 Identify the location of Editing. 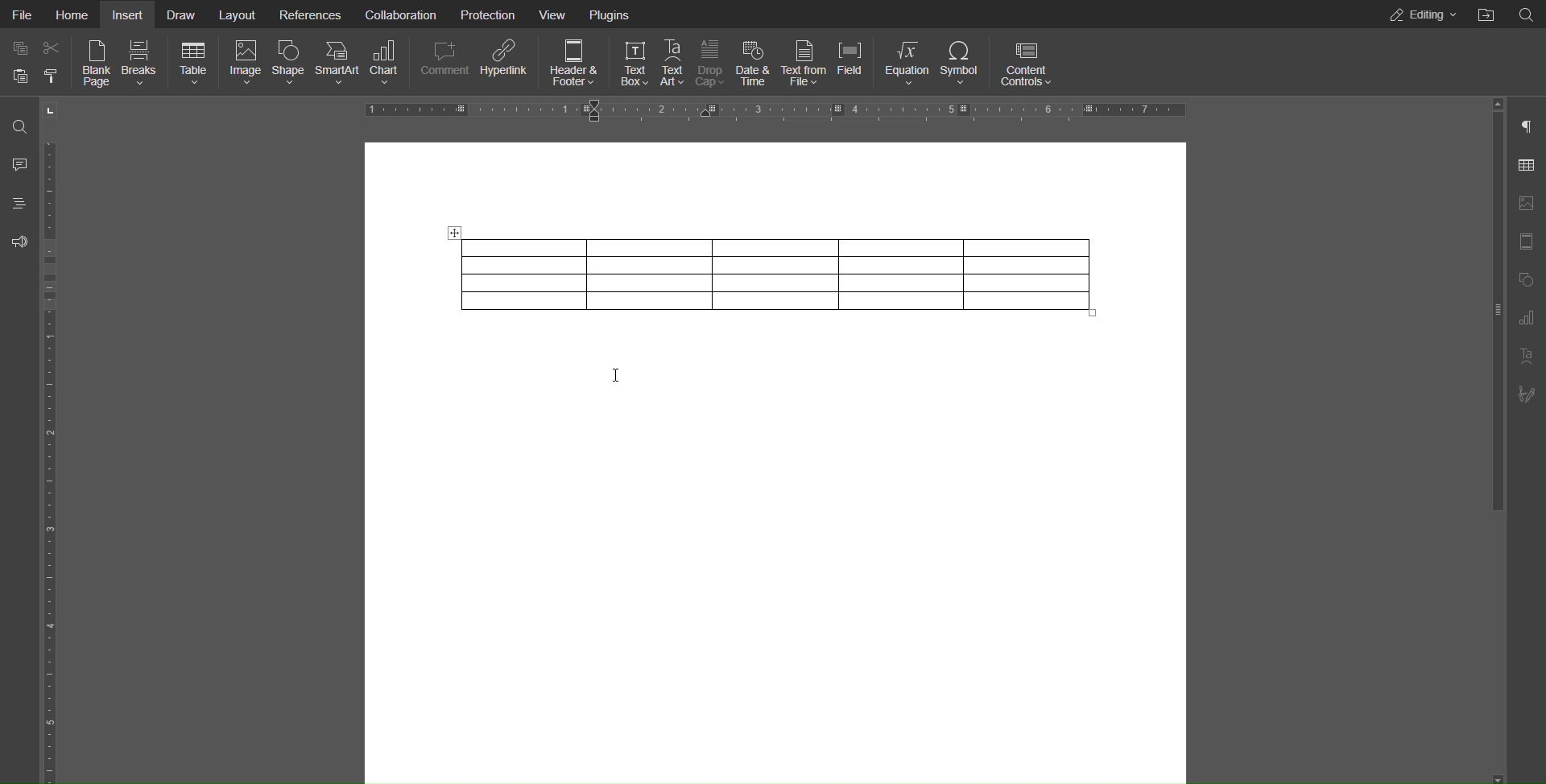
(1417, 14).